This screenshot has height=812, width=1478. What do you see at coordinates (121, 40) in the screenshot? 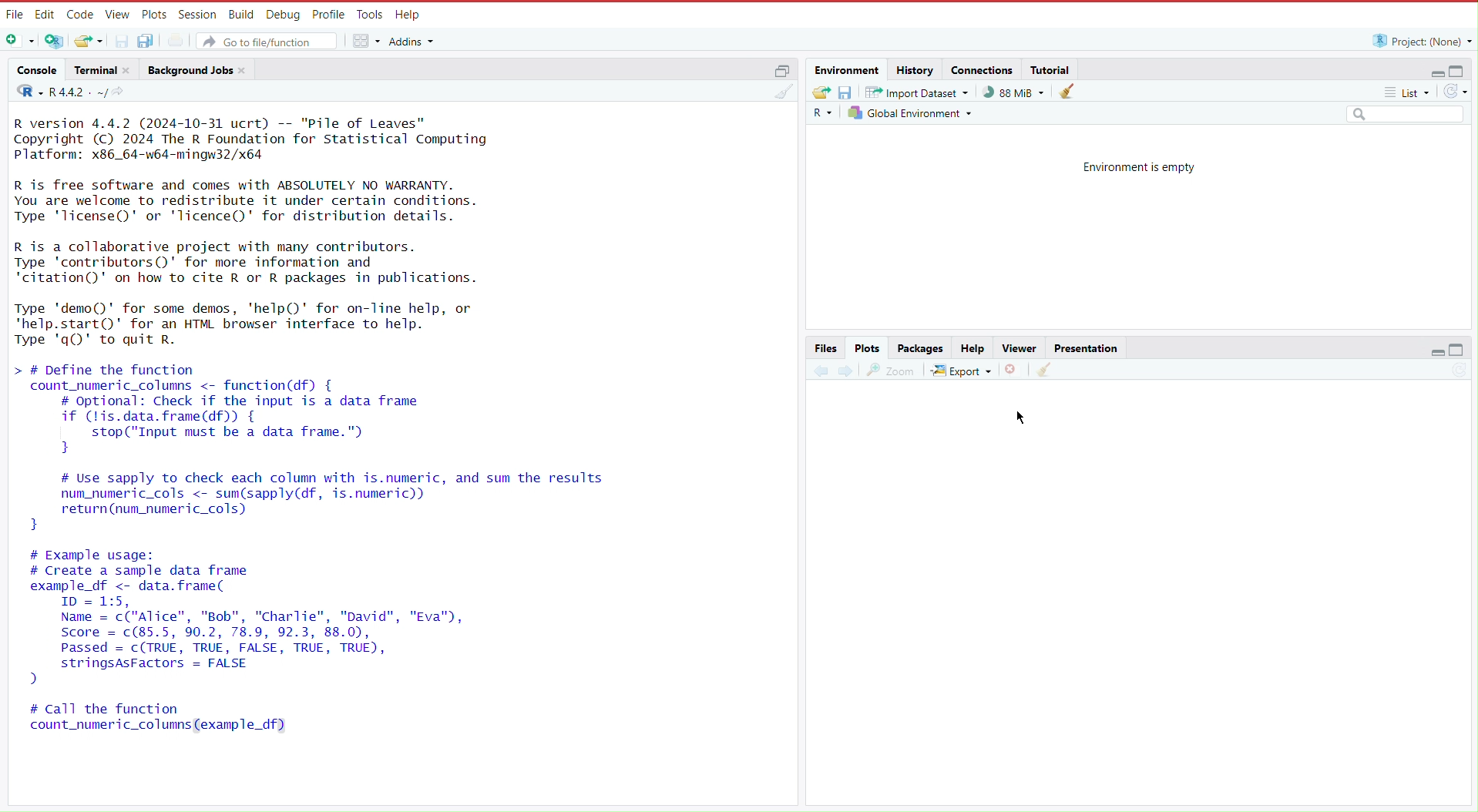
I see `Save current document (Ctrl + S)` at bounding box center [121, 40].